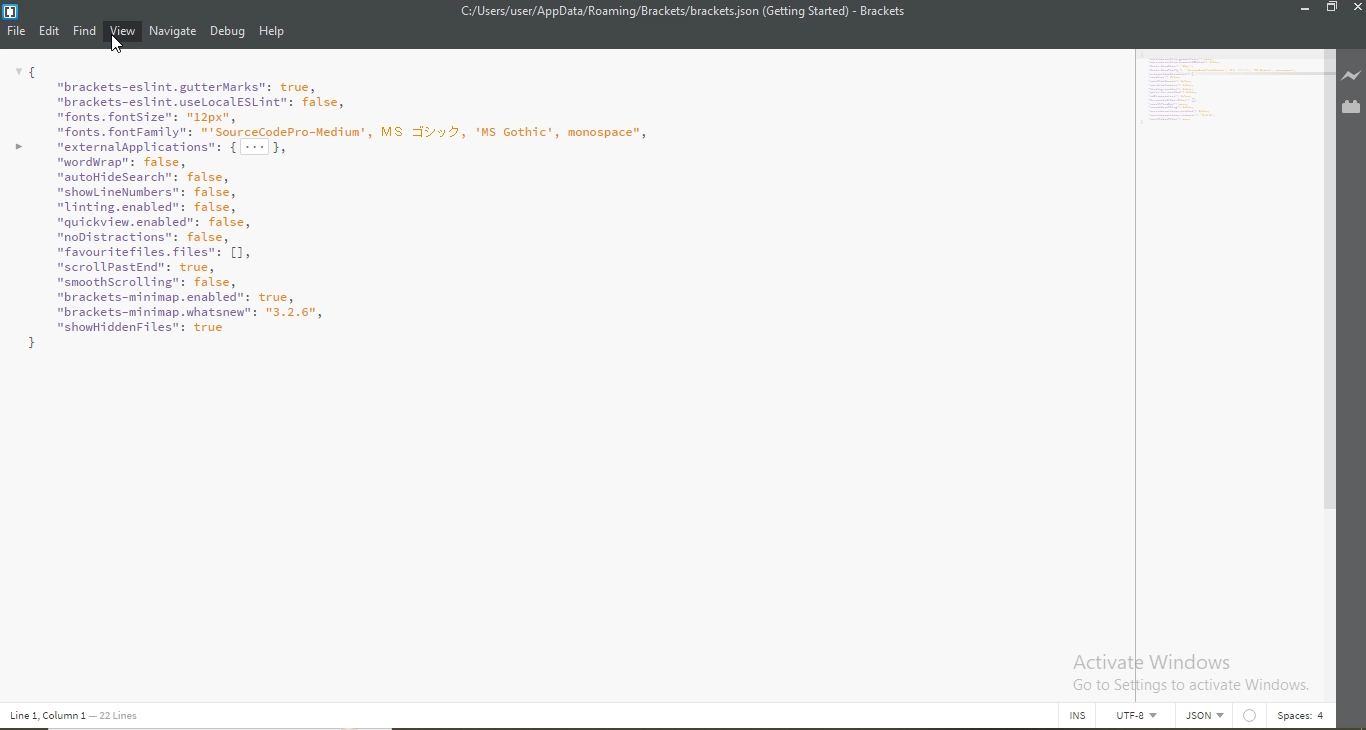 This screenshot has width=1366, height=730. Describe the element at coordinates (174, 31) in the screenshot. I see `Navigate` at that location.